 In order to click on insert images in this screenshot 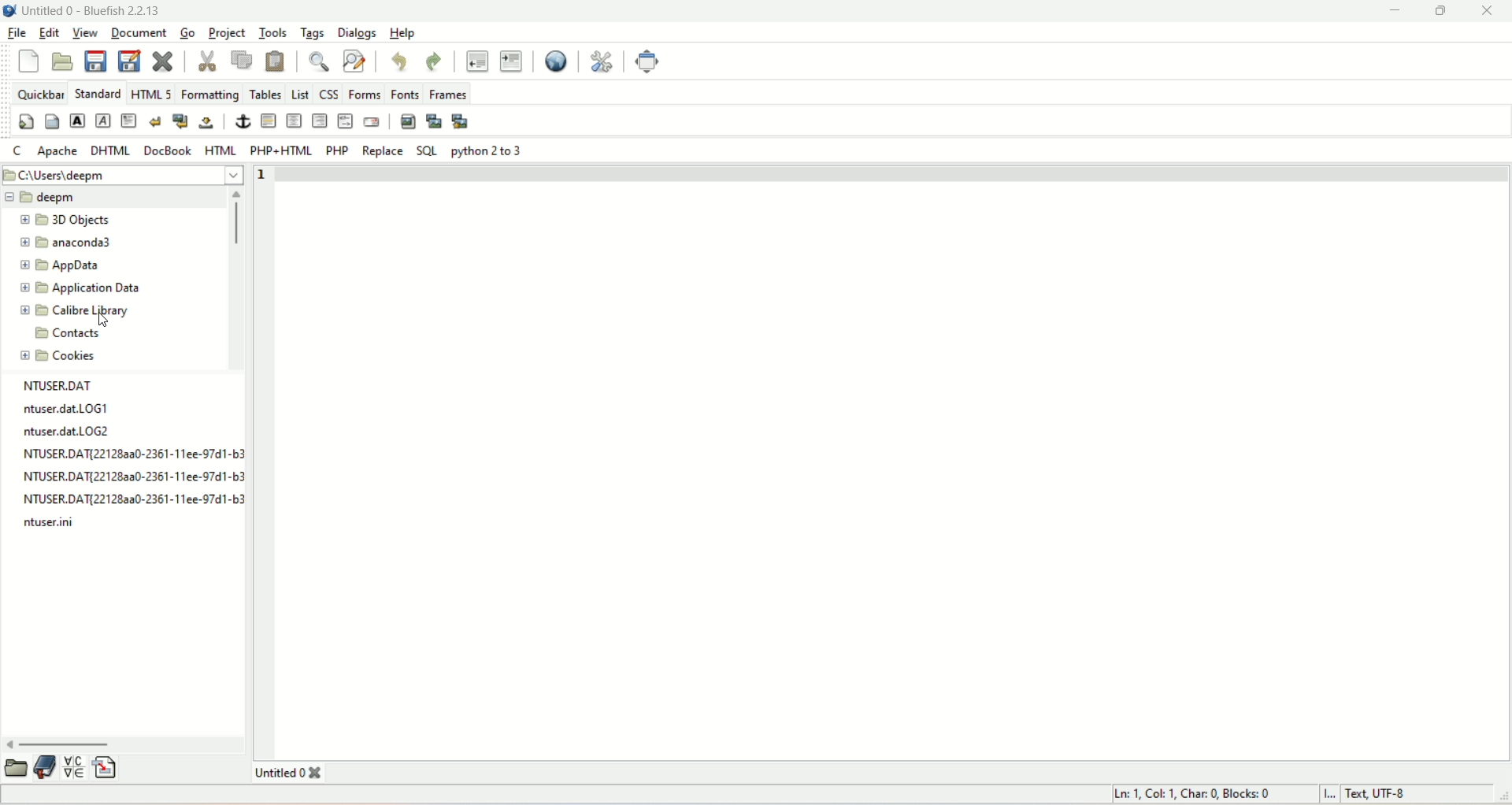, I will do `click(407, 121)`.